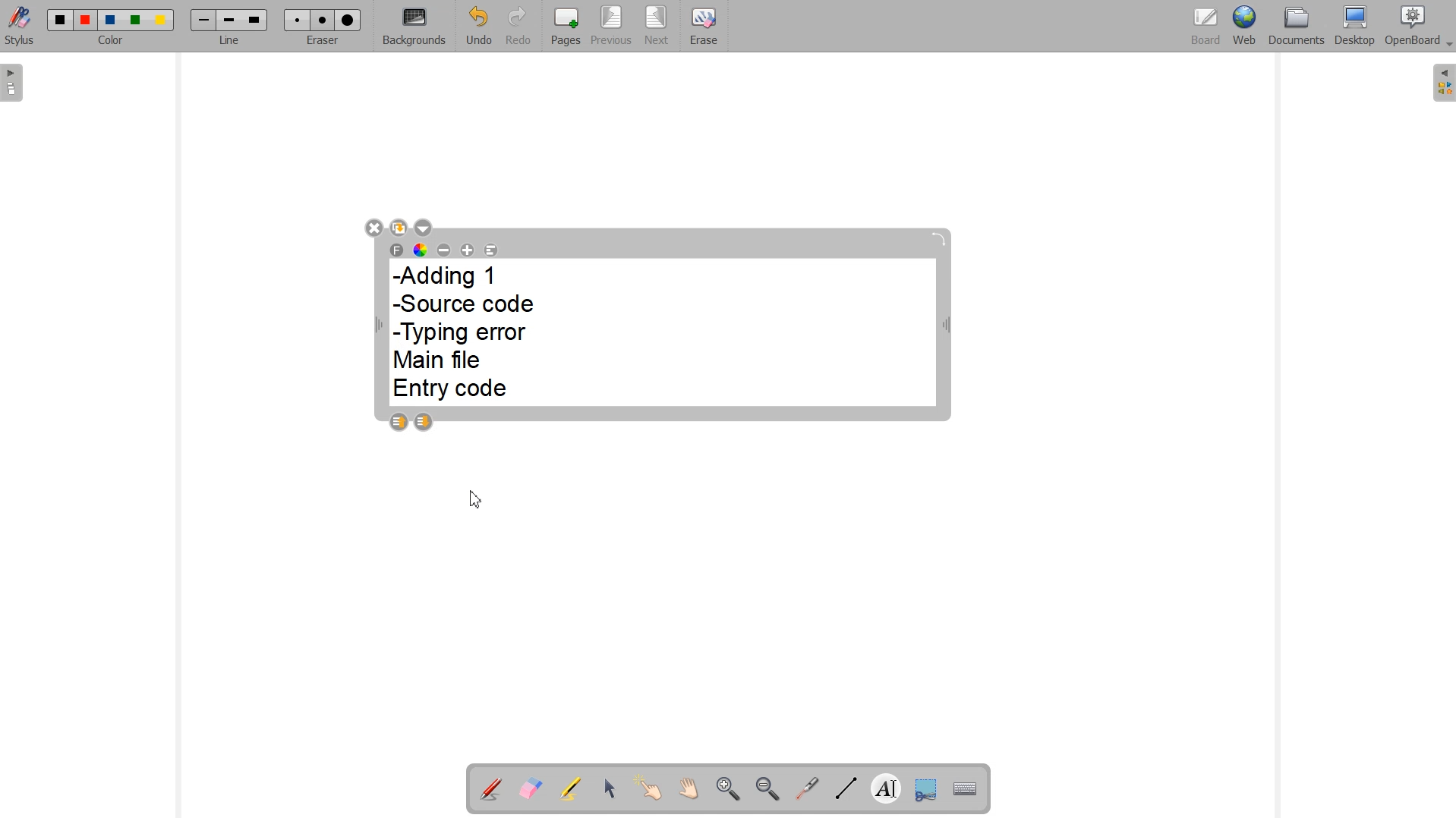 The image size is (1456, 818). I want to click on Select and modify objects, so click(610, 788).